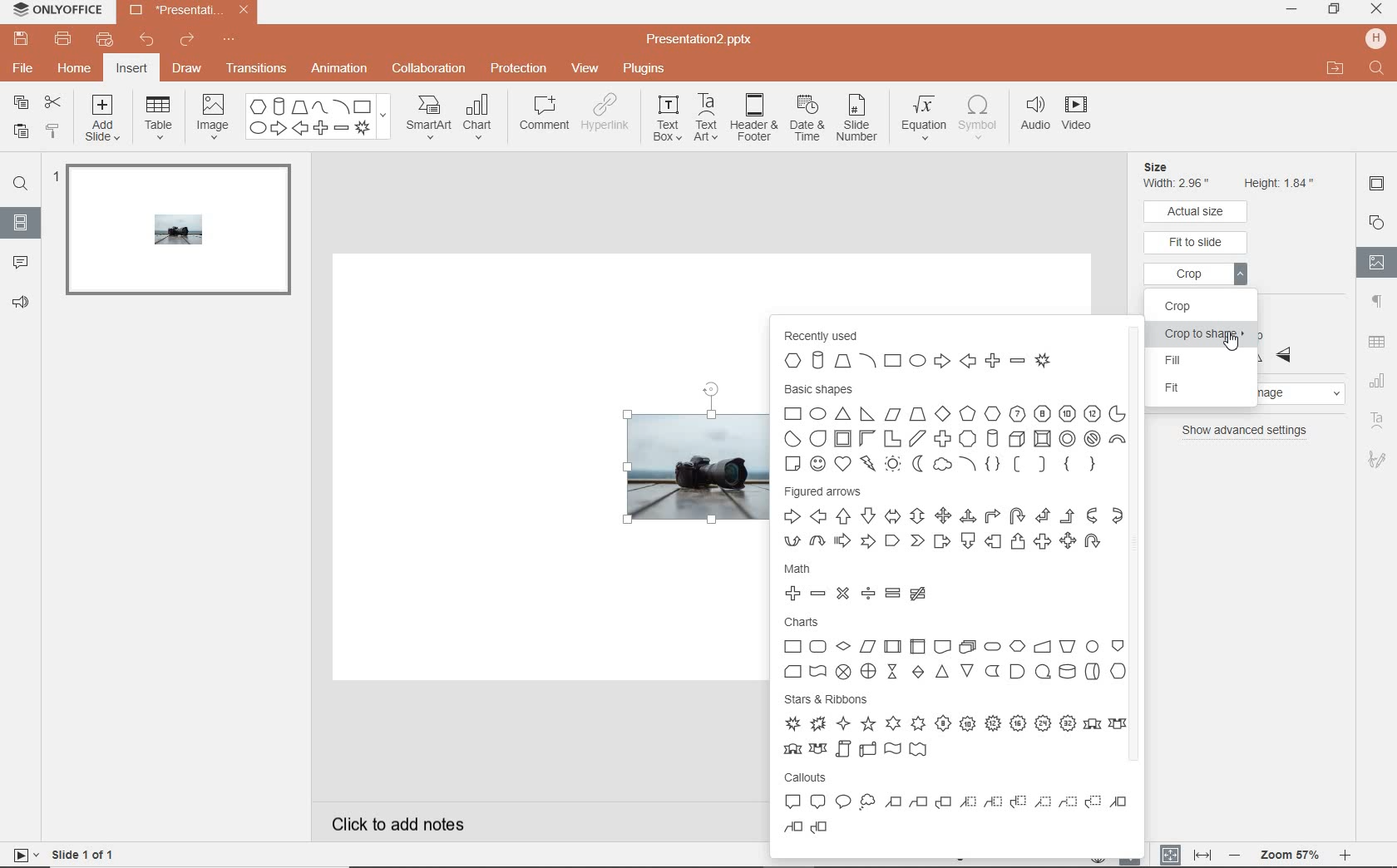 This screenshot has height=868, width=1397. I want to click on restore, so click(1335, 11).